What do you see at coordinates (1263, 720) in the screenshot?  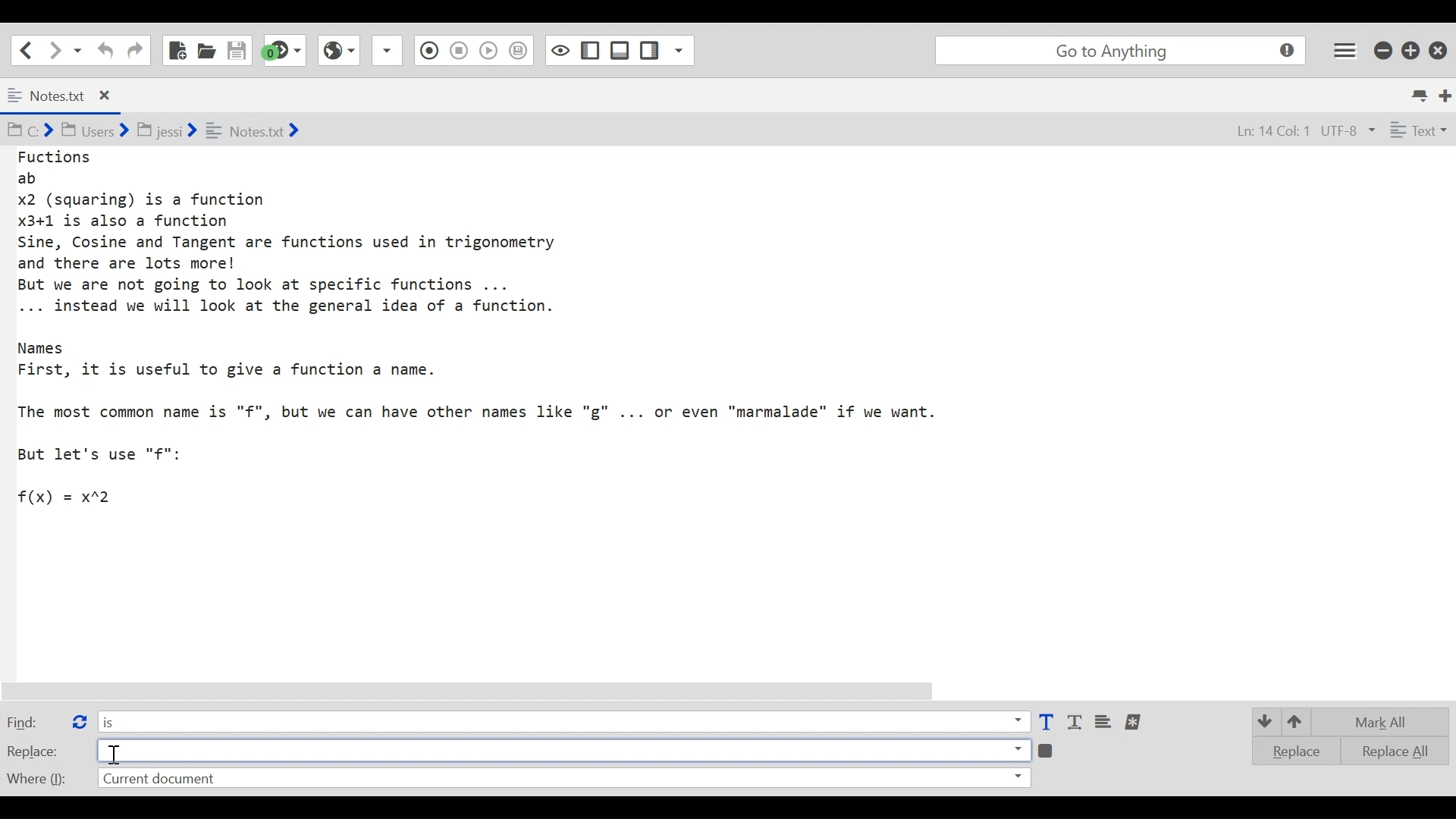 I see `Arrow down` at bounding box center [1263, 720].